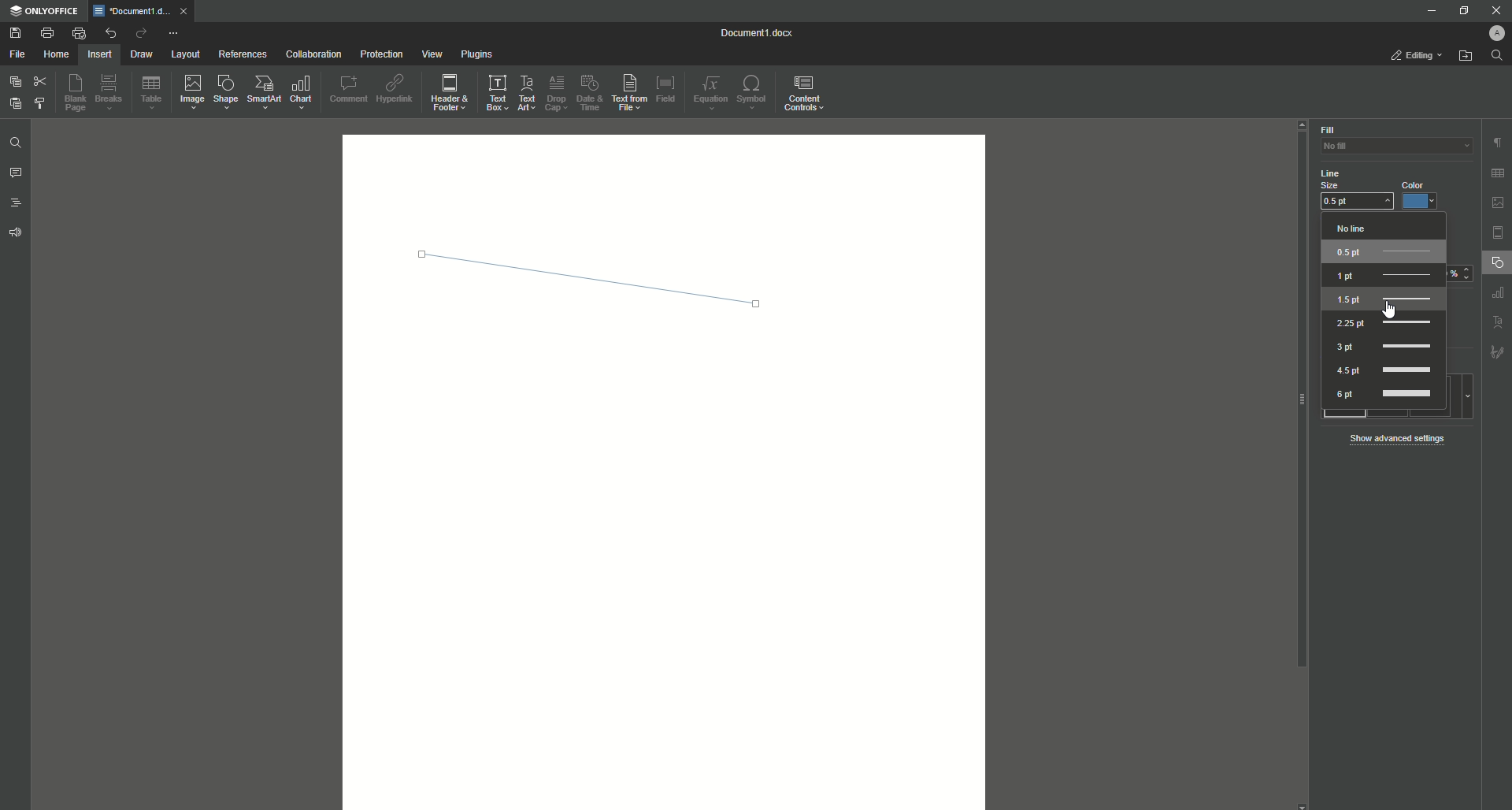 This screenshot has width=1512, height=810. I want to click on No Fill, so click(1386, 151).